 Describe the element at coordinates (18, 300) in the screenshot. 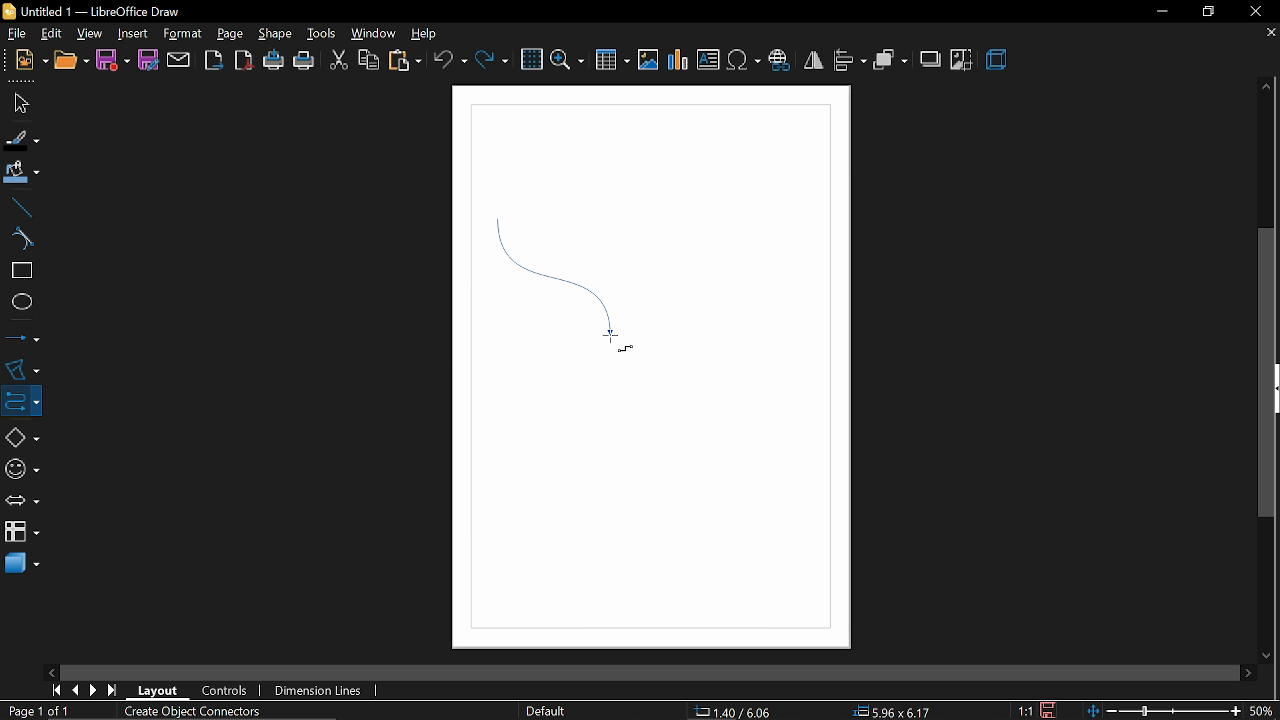

I see `ellipse` at that location.